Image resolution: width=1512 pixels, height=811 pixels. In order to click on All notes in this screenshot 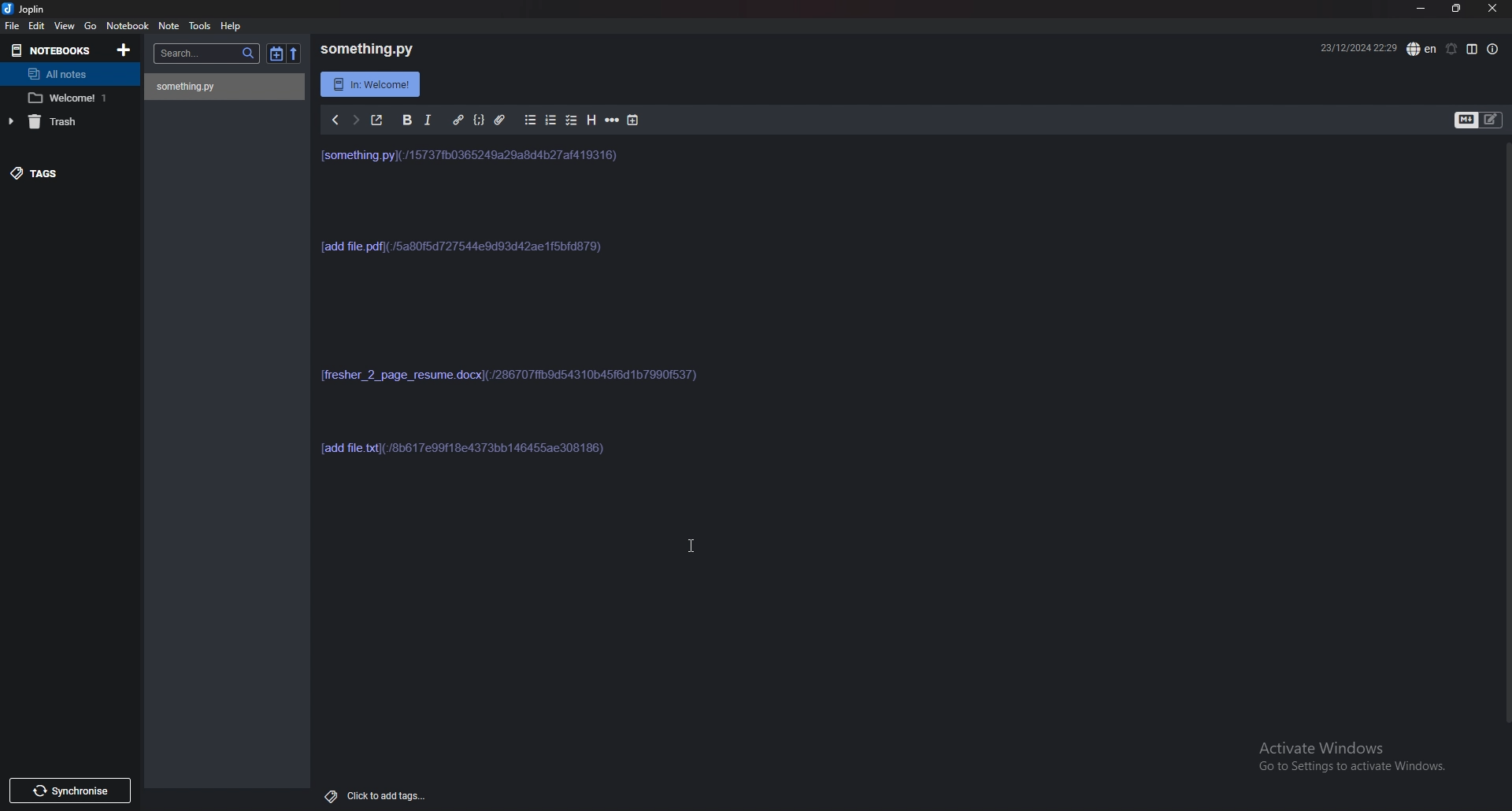, I will do `click(72, 76)`.